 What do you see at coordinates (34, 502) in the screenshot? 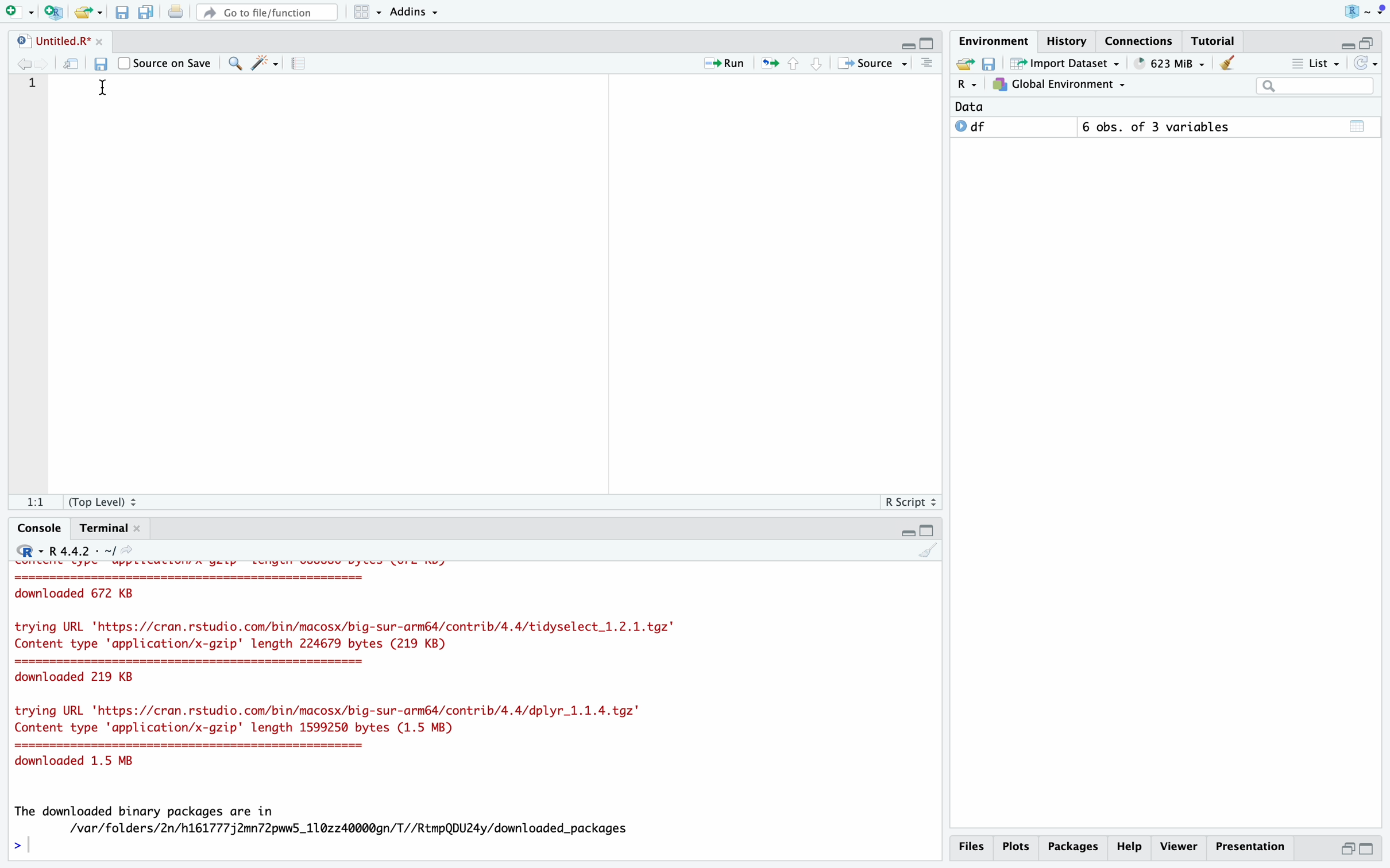
I see `1:1` at bounding box center [34, 502].